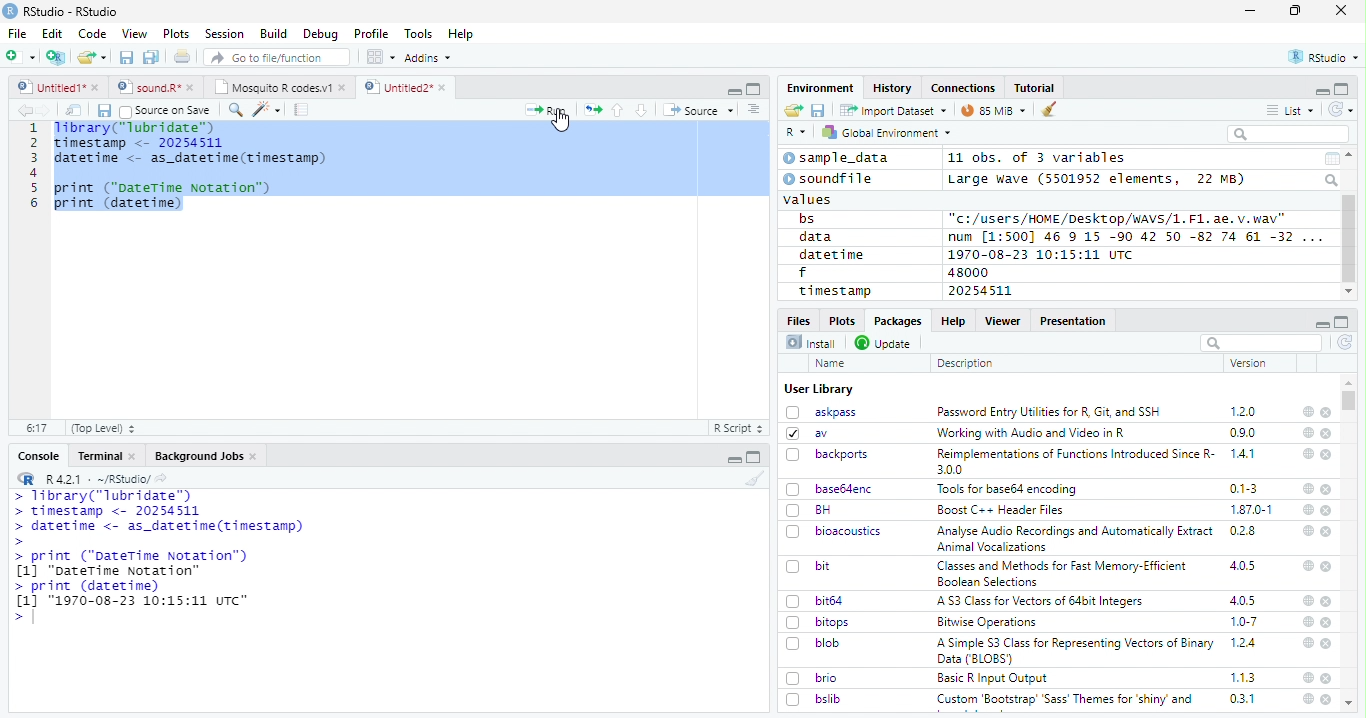  What do you see at coordinates (1342, 89) in the screenshot?
I see `full screen` at bounding box center [1342, 89].